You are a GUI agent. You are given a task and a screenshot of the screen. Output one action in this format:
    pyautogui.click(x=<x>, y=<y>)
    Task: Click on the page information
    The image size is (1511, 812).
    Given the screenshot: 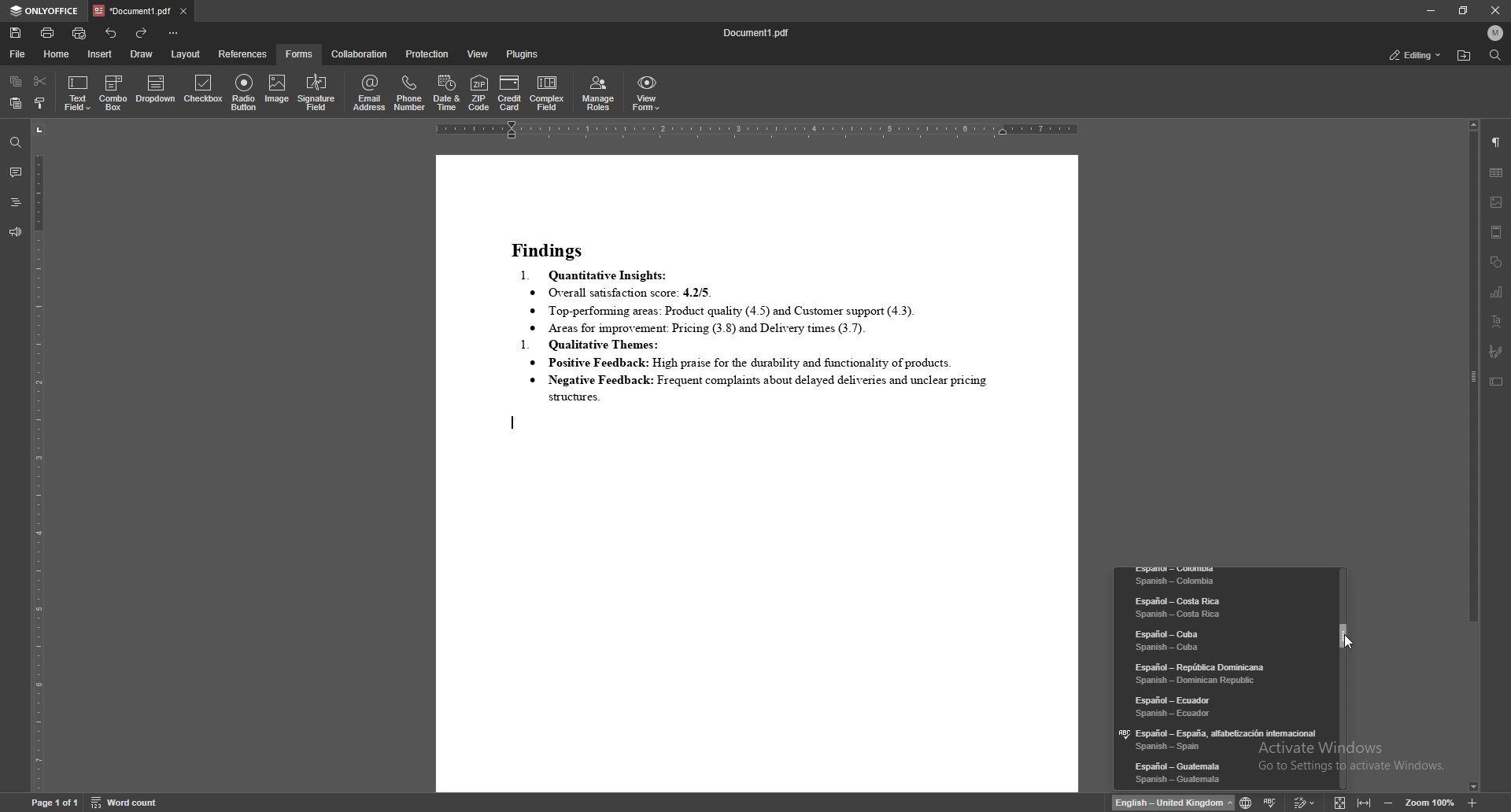 What is the action you would take?
    pyautogui.click(x=53, y=804)
    